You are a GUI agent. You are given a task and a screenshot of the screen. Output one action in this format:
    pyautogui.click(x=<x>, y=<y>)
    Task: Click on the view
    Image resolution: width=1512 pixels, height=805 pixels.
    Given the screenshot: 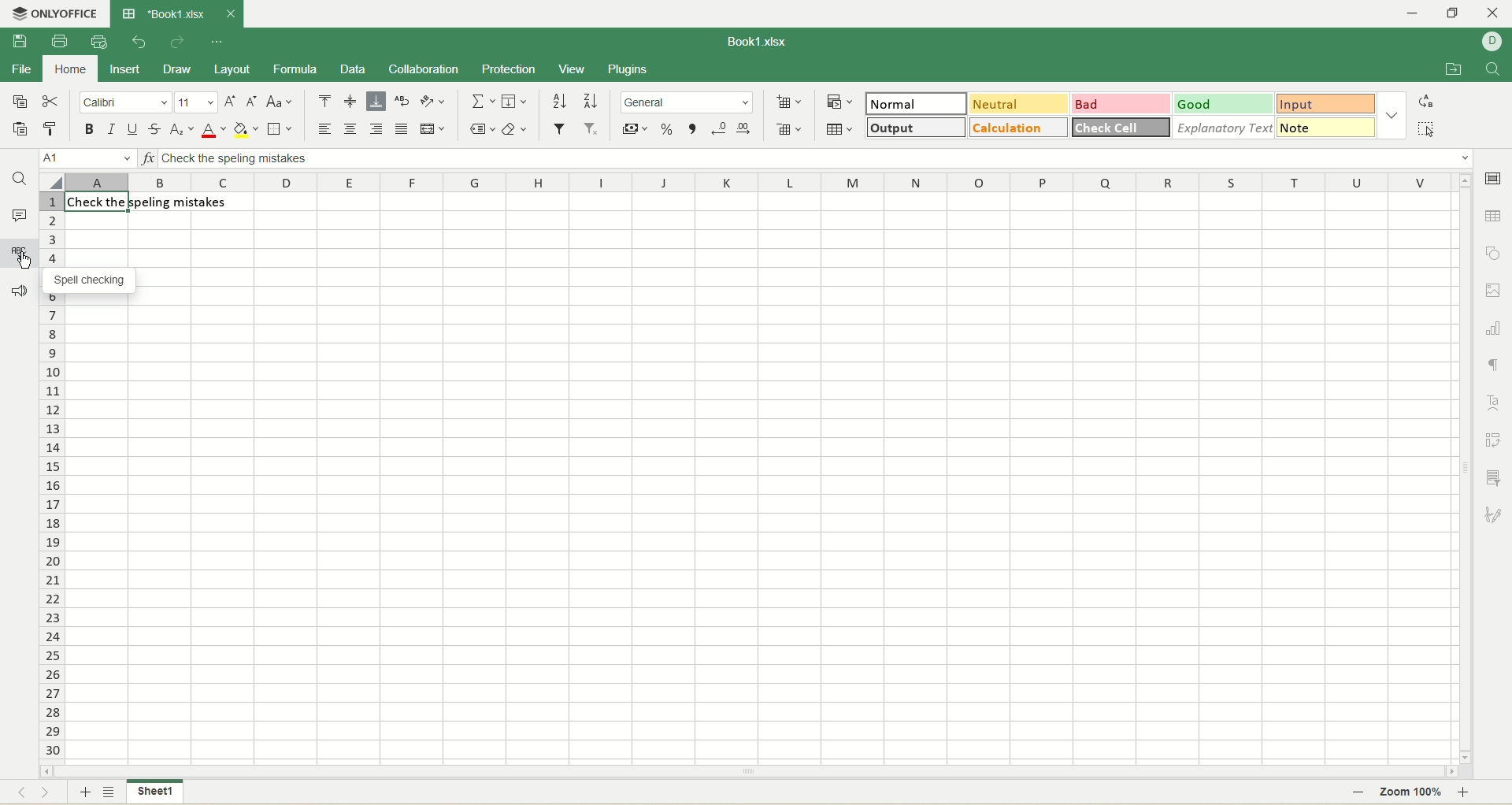 What is the action you would take?
    pyautogui.click(x=570, y=70)
    